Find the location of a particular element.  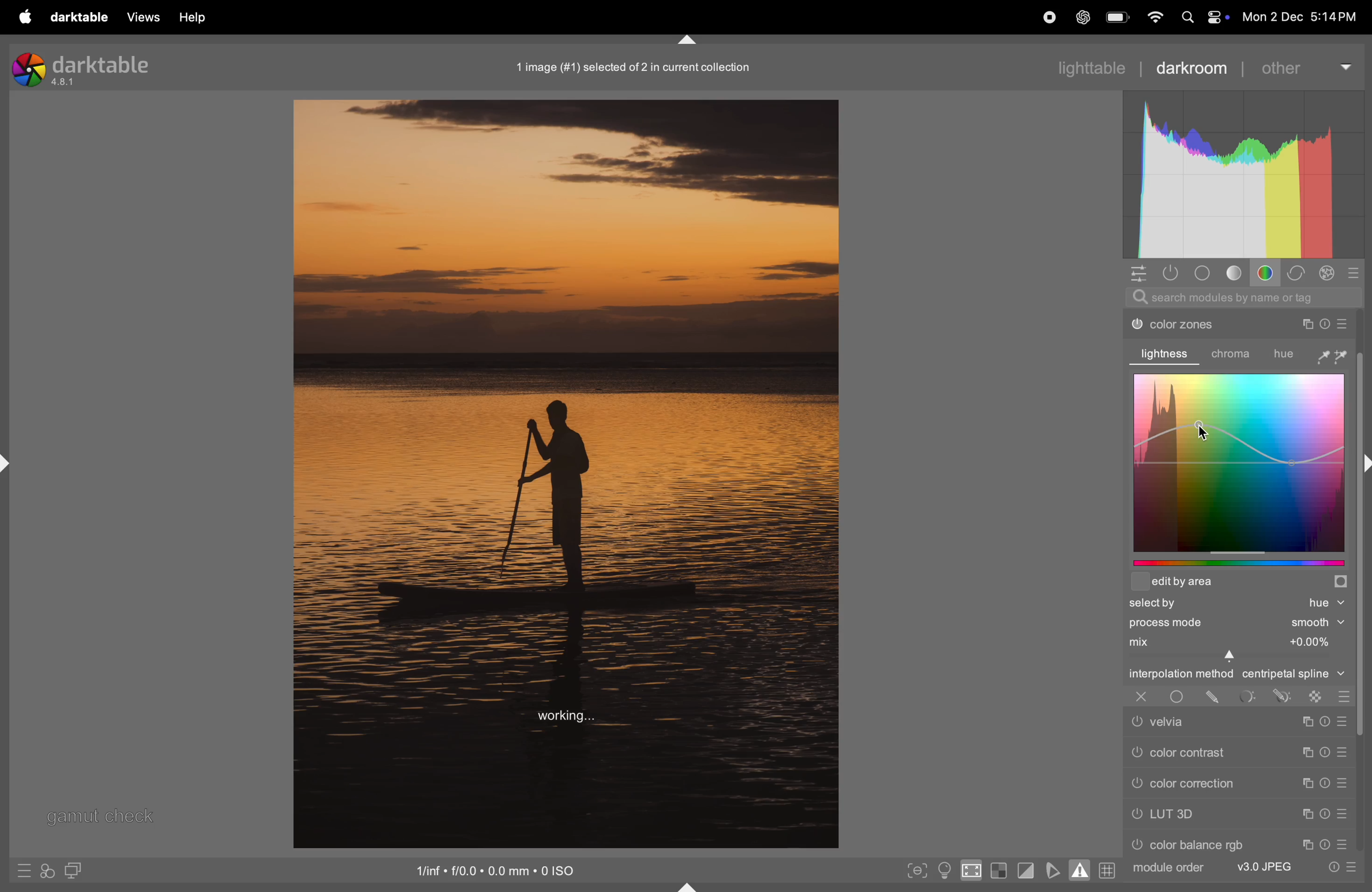

cursor is located at coordinates (1205, 430).